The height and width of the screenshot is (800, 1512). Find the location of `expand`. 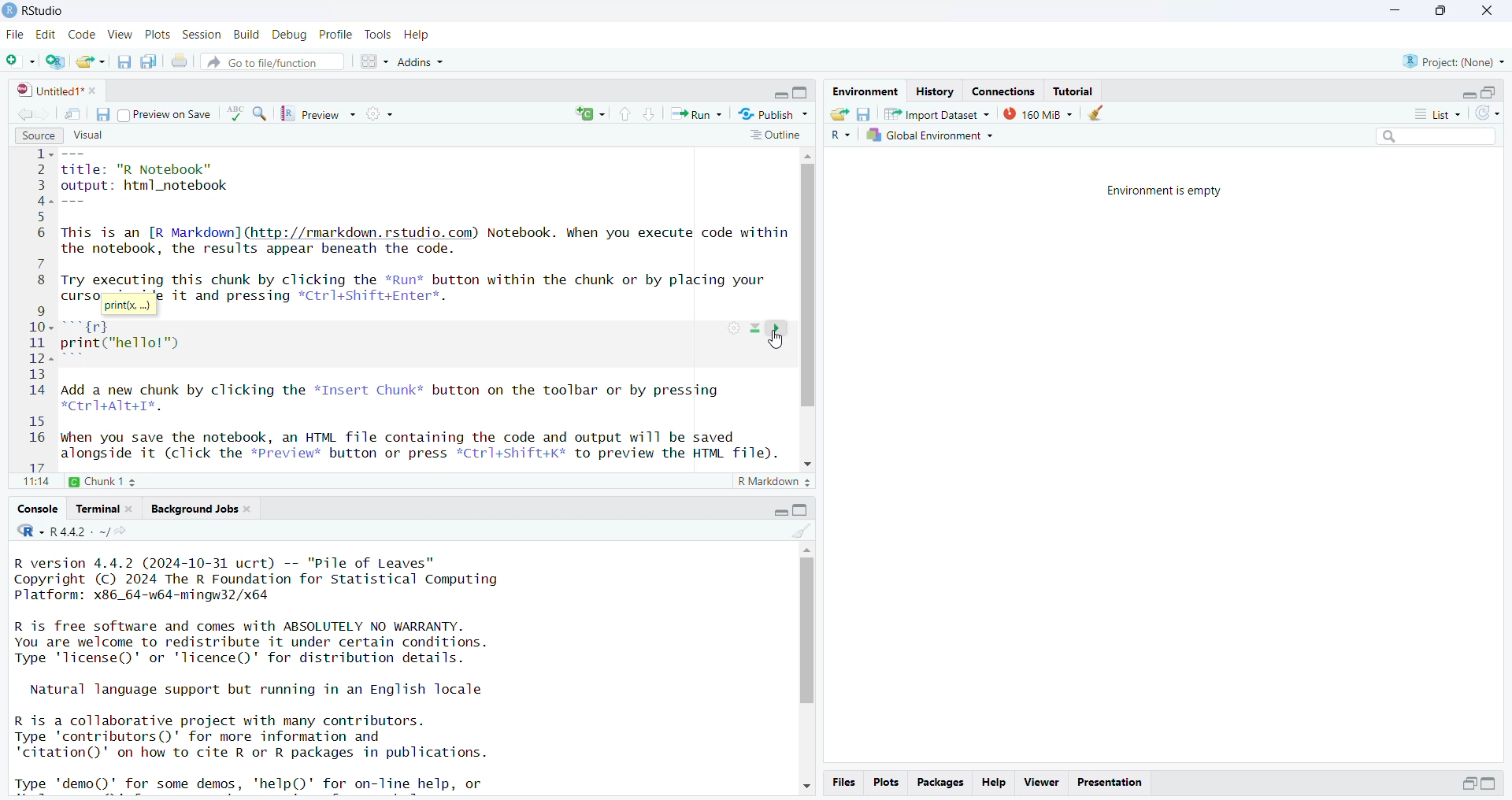

expand is located at coordinates (1492, 784).